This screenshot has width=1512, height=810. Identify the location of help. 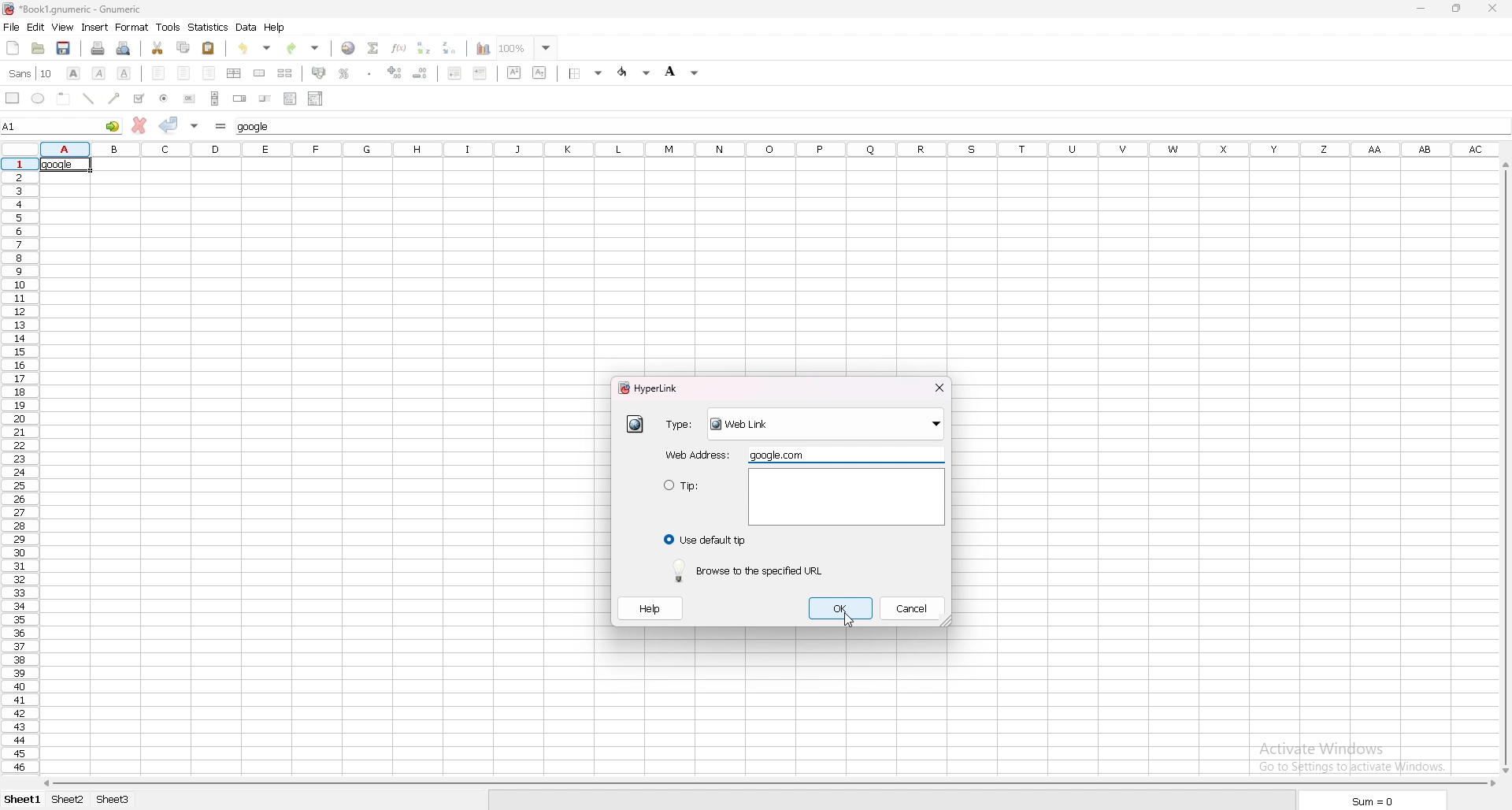
(276, 27).